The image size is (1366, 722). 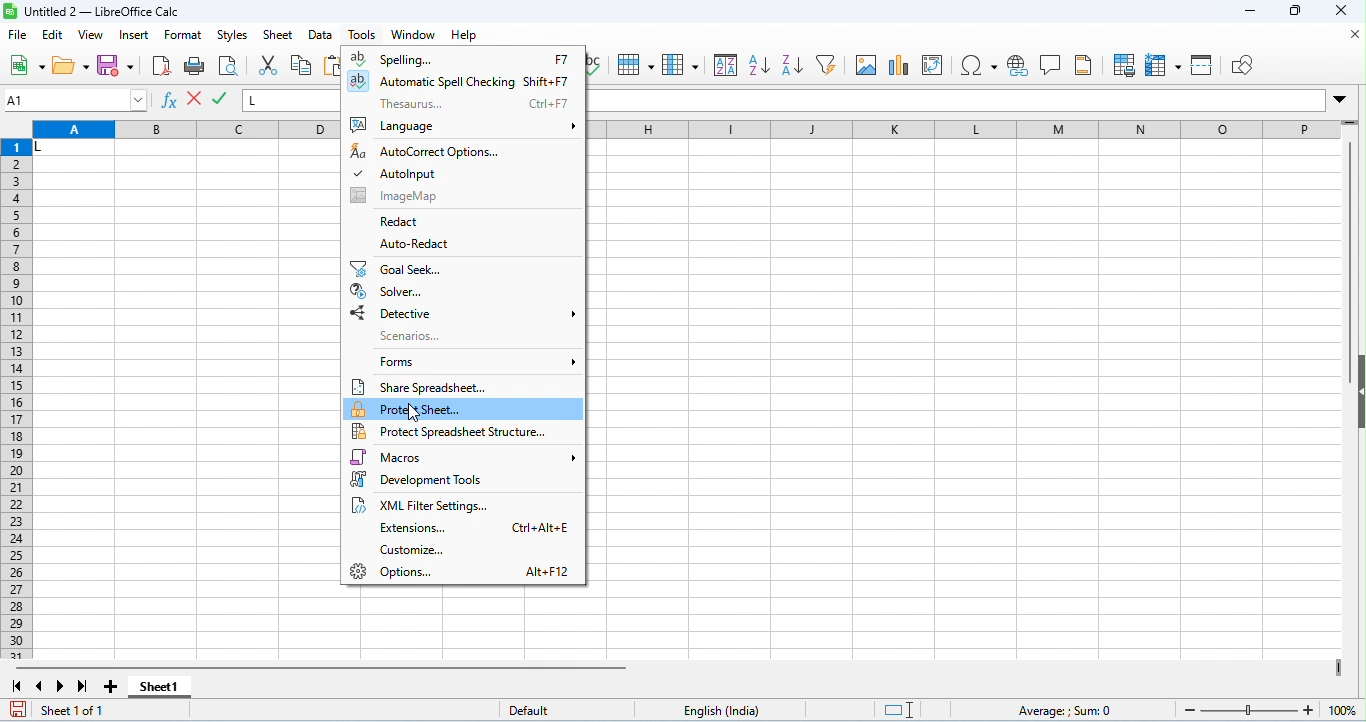 I want to click on autoinput, so click(x=399, y=172).